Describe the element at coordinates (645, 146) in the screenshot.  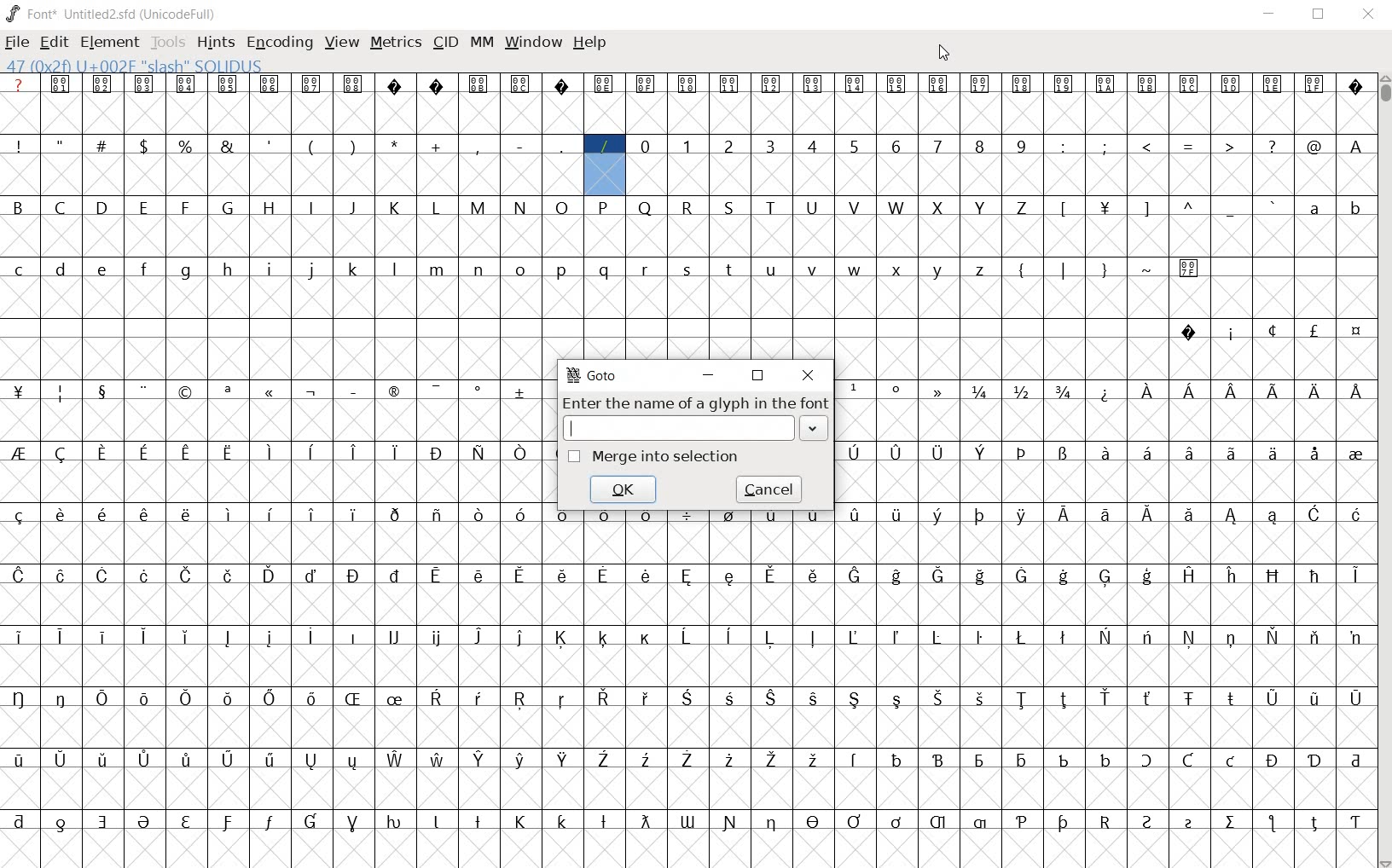
I see `glyph` at that location.